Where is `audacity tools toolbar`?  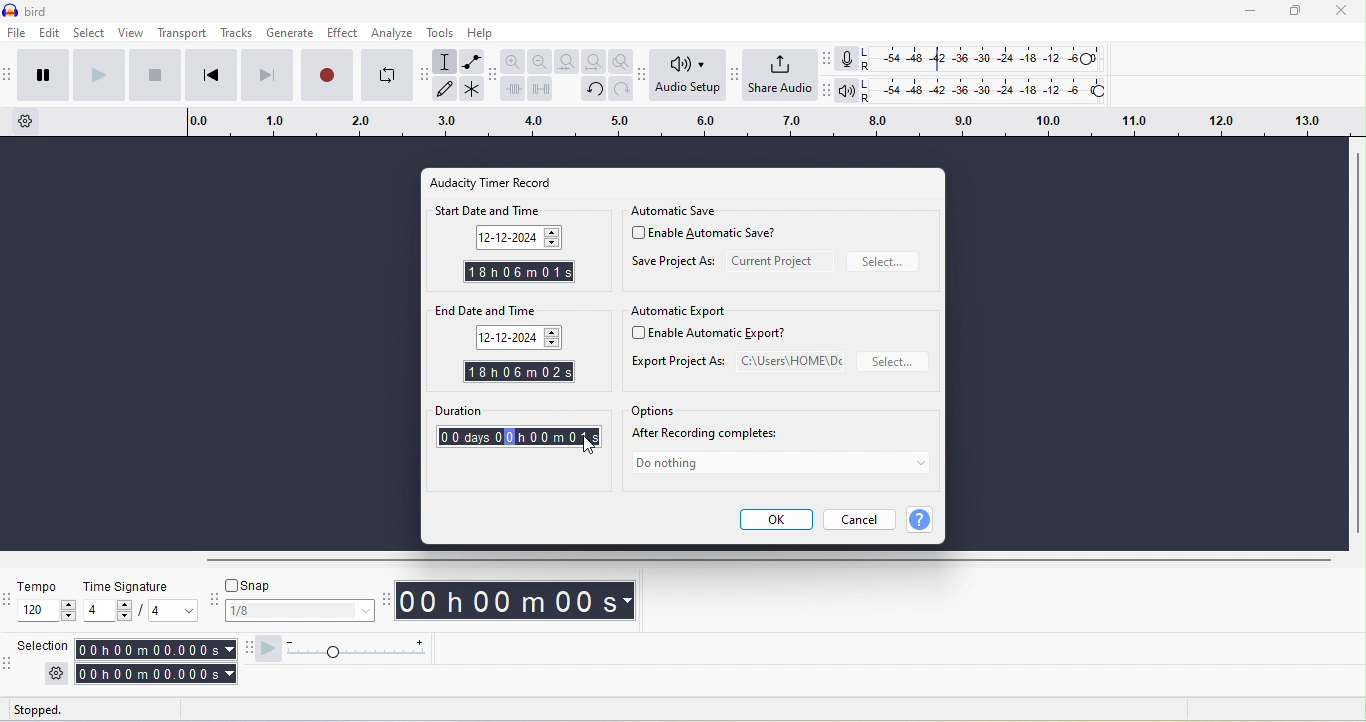 audacity tools toolbar is located at coordinates (426, 78).